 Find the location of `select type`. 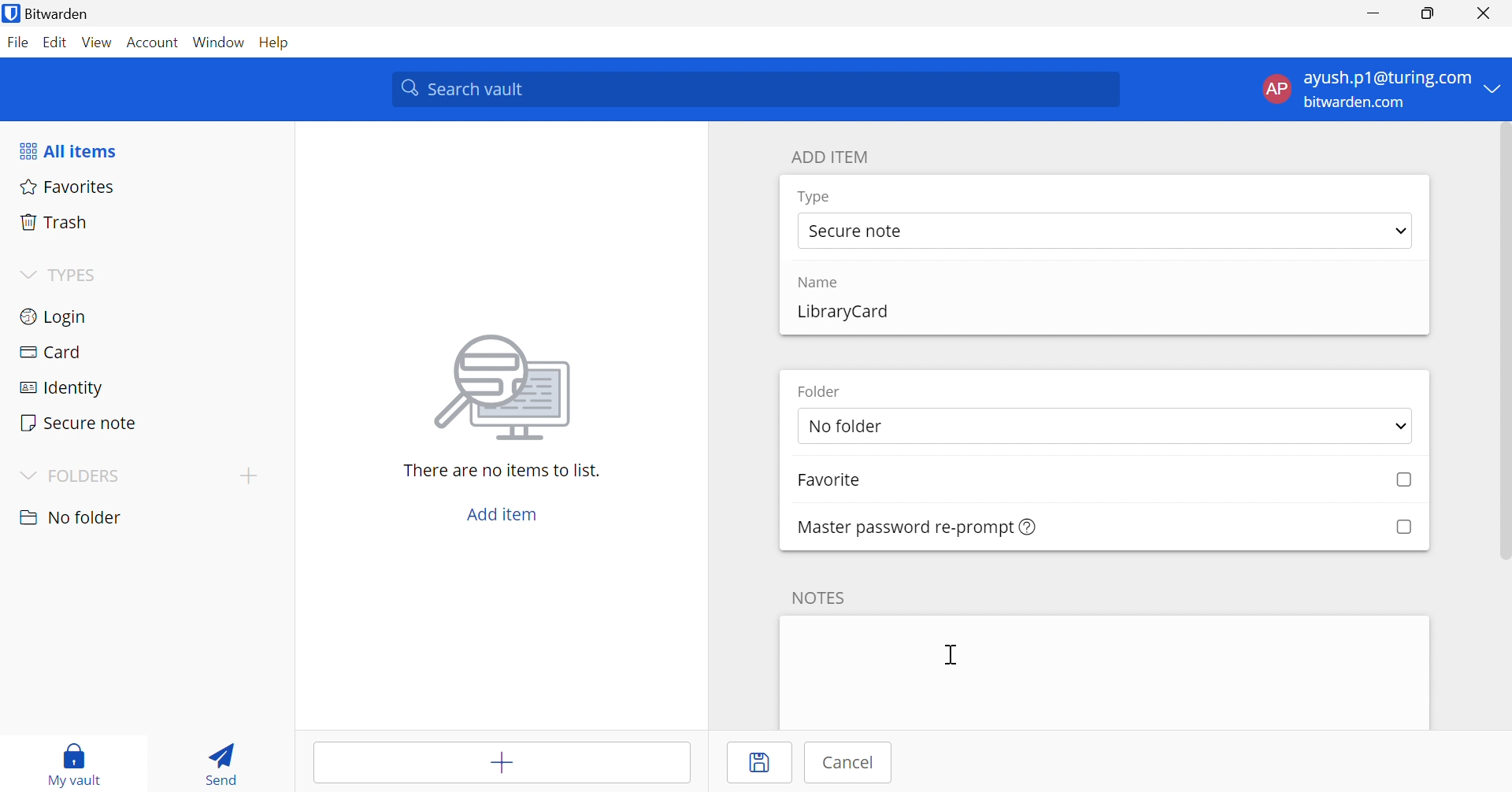

select type is located at coordinates (1105, 231).